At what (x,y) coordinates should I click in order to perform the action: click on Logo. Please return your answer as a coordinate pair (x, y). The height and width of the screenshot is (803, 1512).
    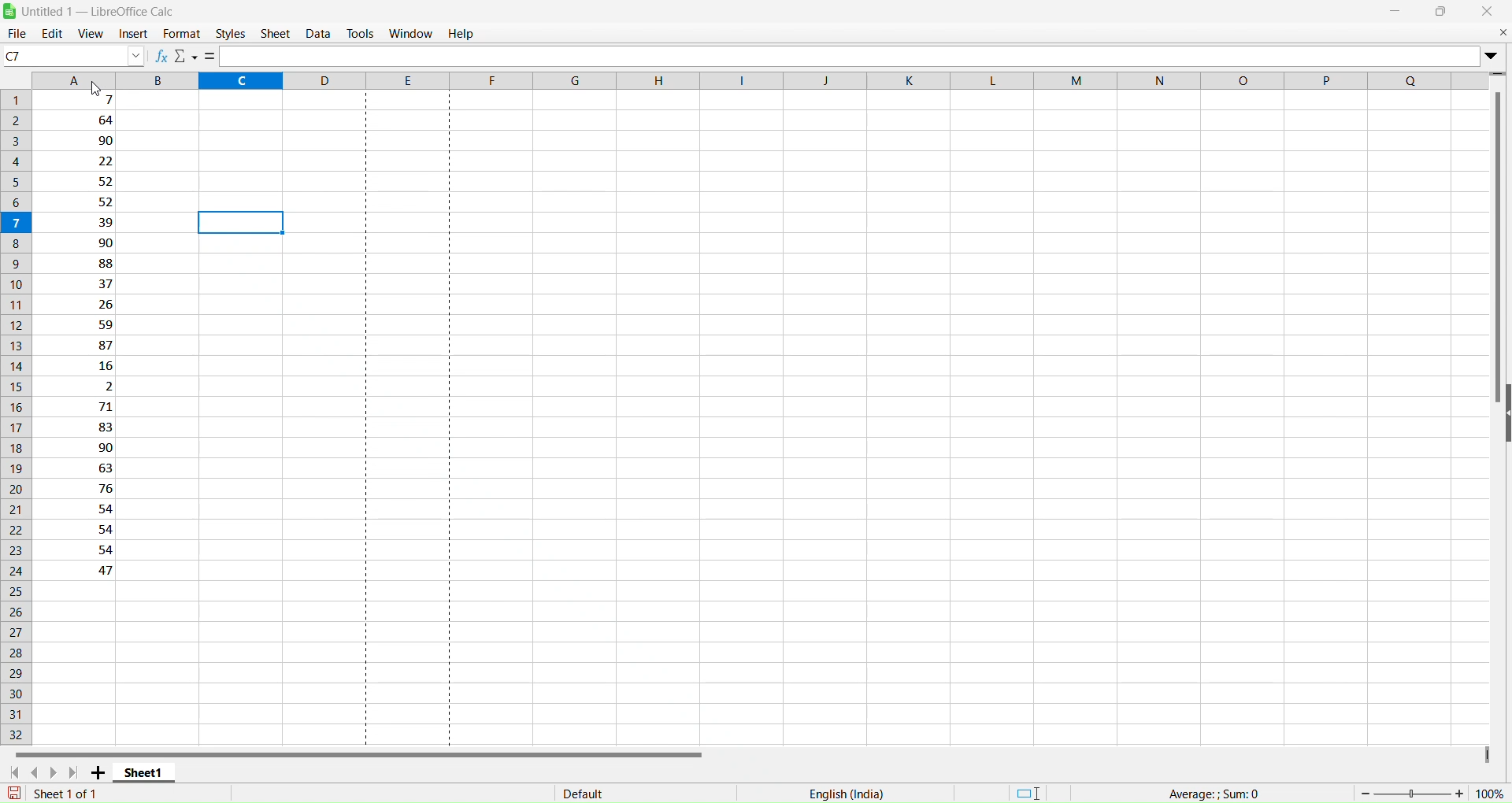
    Looking at the image, I should click on (11, 10).